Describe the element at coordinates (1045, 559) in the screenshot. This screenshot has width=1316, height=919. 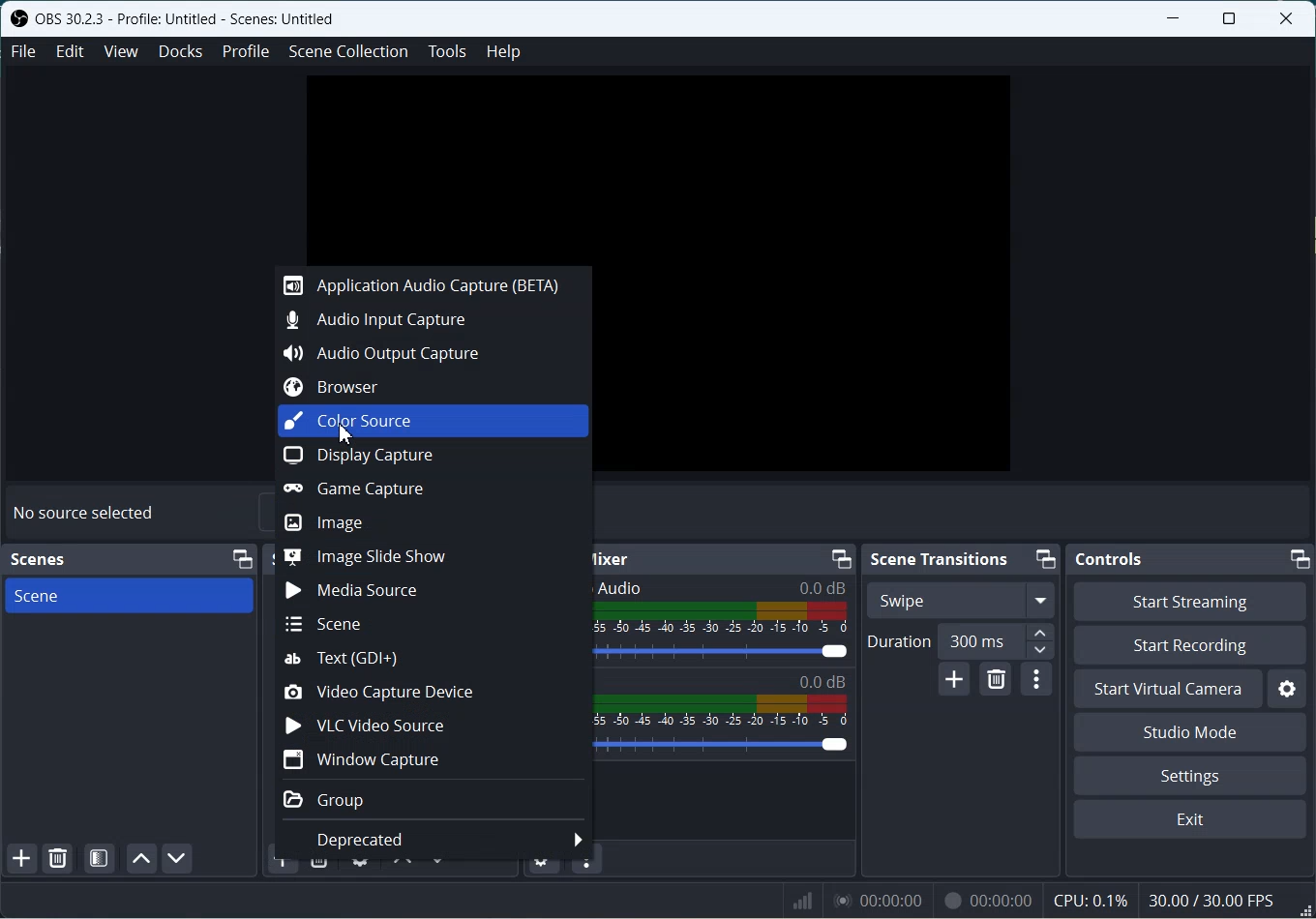
I see `Minimize` at that location.